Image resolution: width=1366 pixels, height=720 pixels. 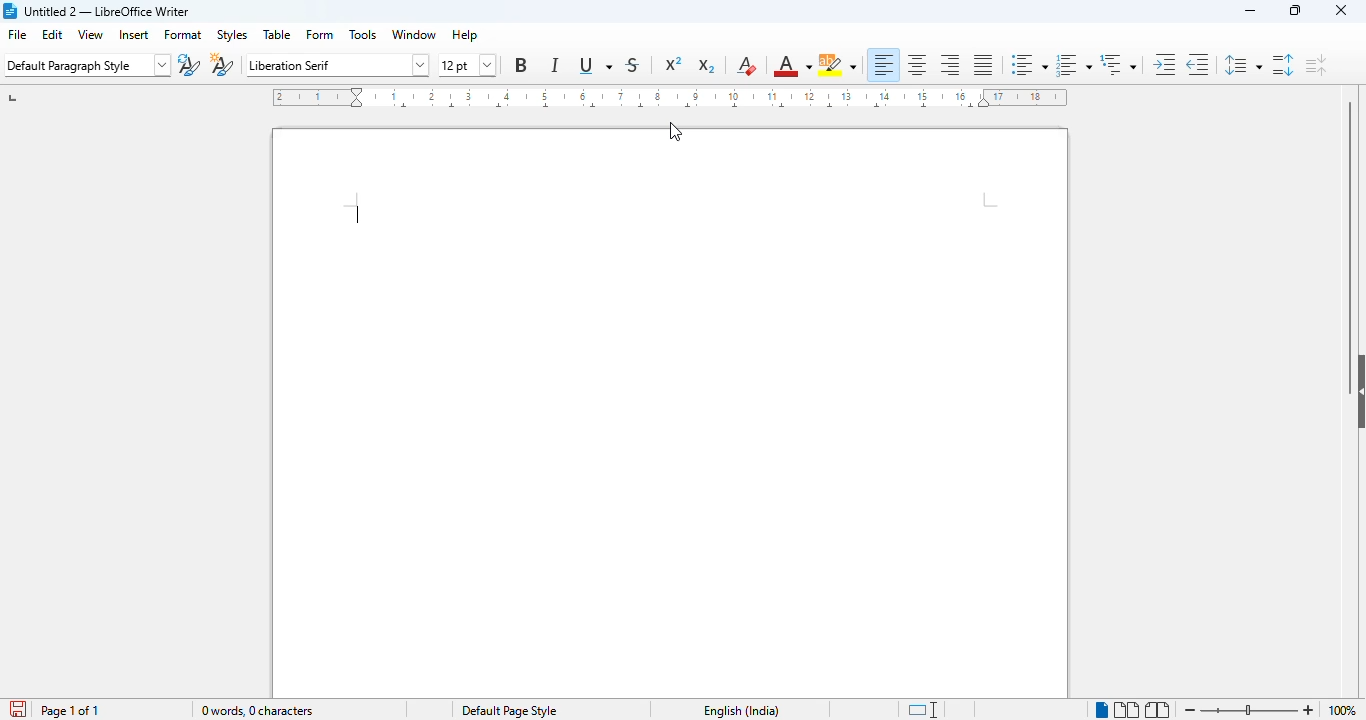 I want to click on form, so click(x=321, y=33).